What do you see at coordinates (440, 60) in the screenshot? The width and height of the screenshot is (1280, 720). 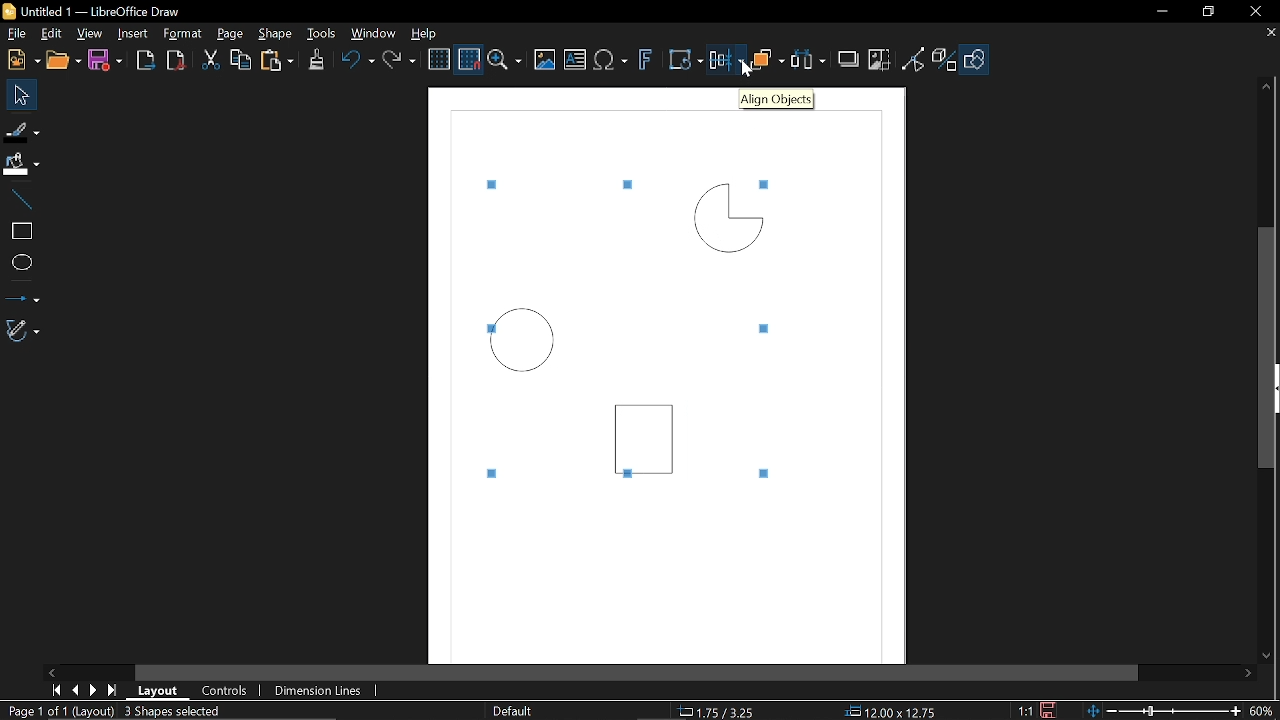 I see `Display grid` at bounding box center [440, 60].